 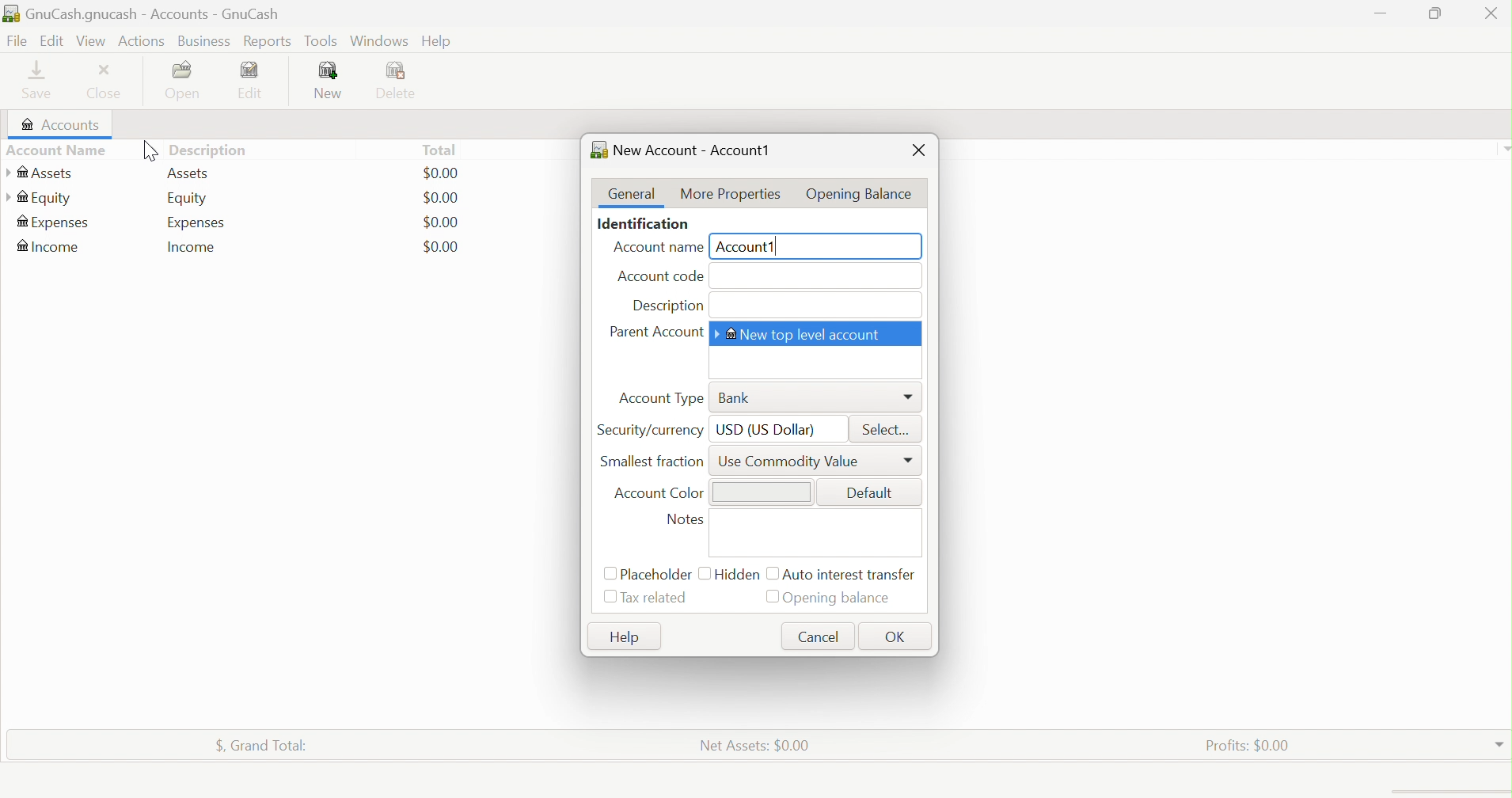 I want to click on Business, so click(x=205, y=42).